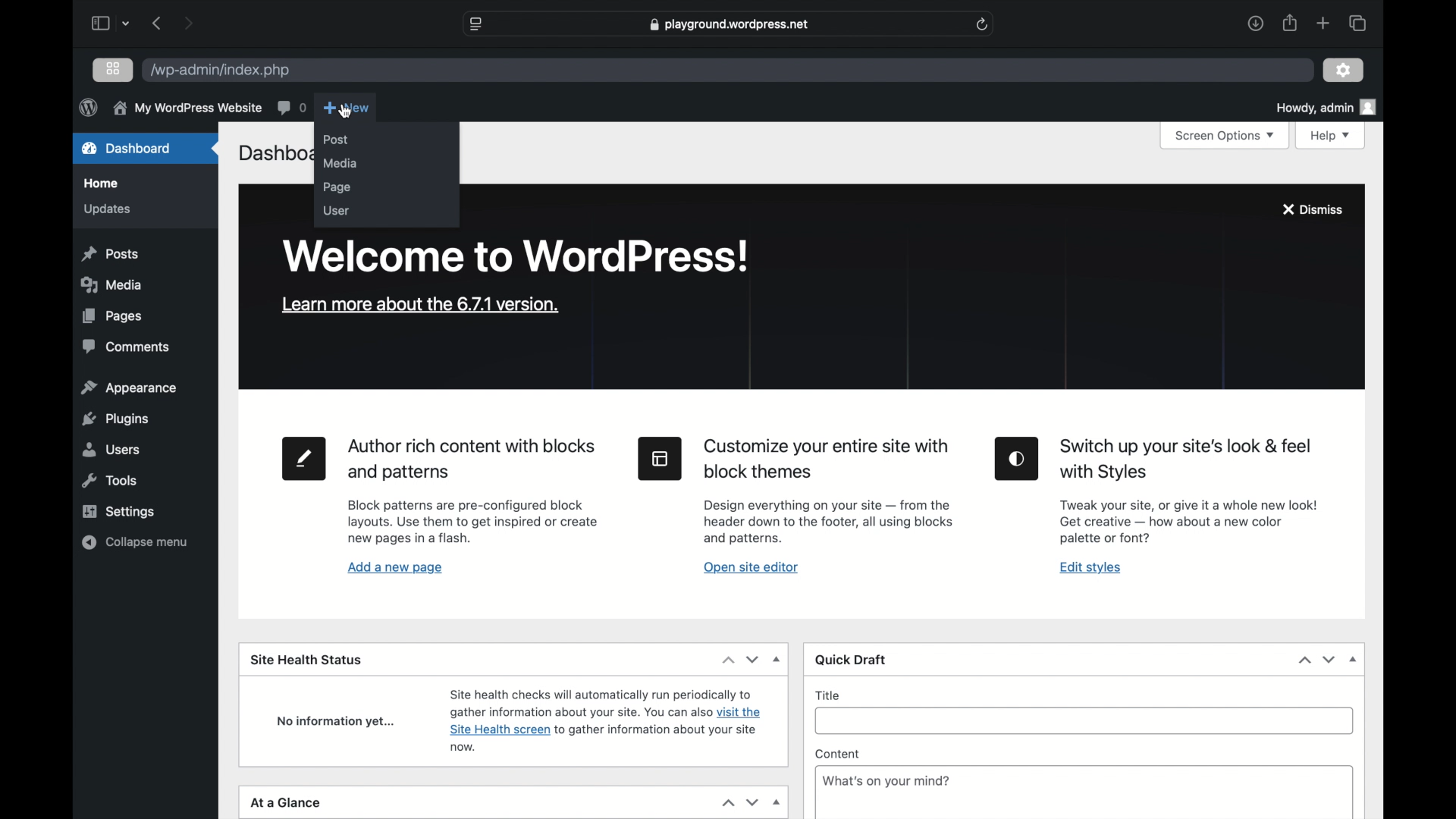  I want to click on help, so click(1332, 136).